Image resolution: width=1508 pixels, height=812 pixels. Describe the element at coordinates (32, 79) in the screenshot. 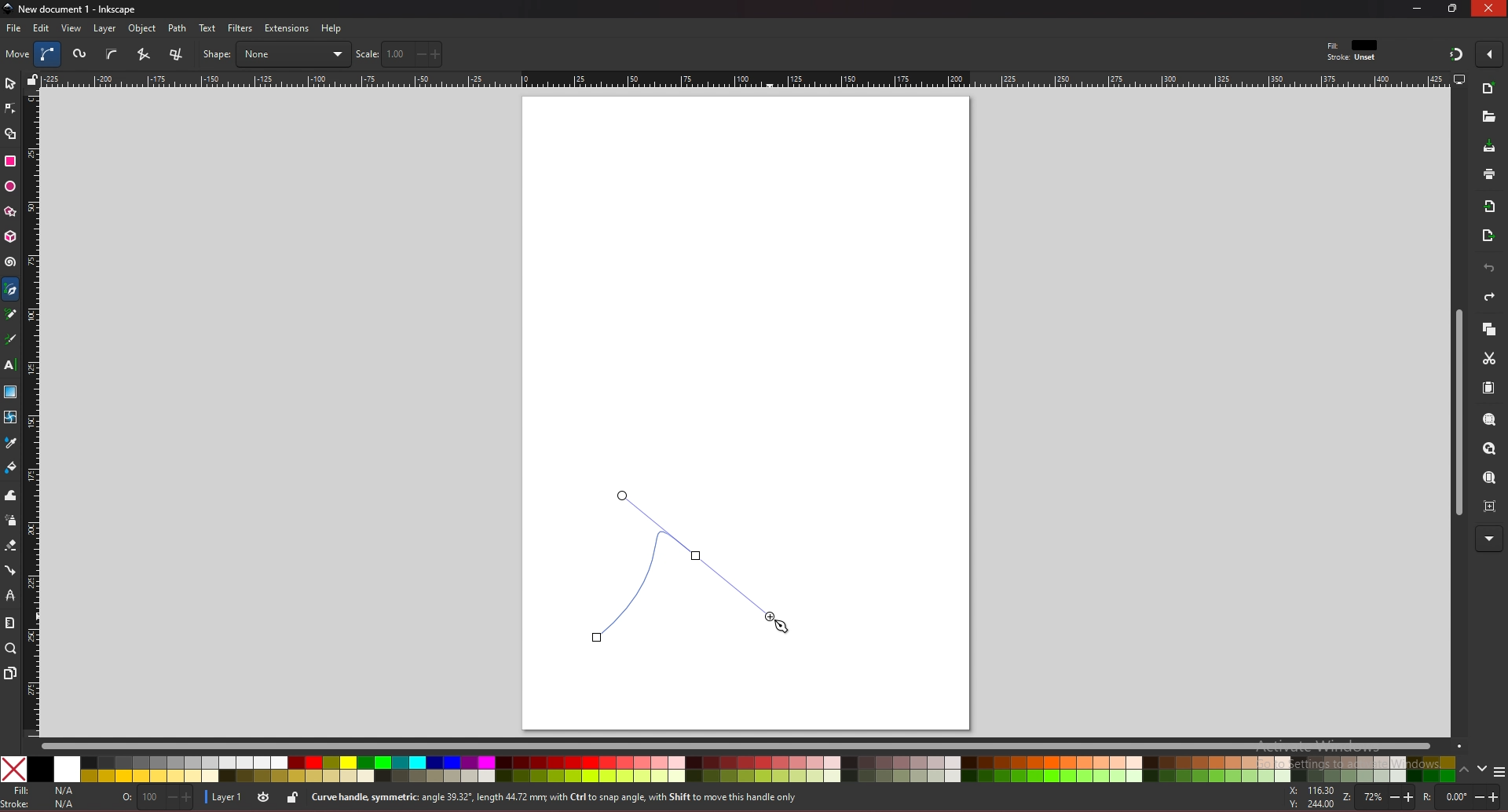

I see `lock guides` at that location.